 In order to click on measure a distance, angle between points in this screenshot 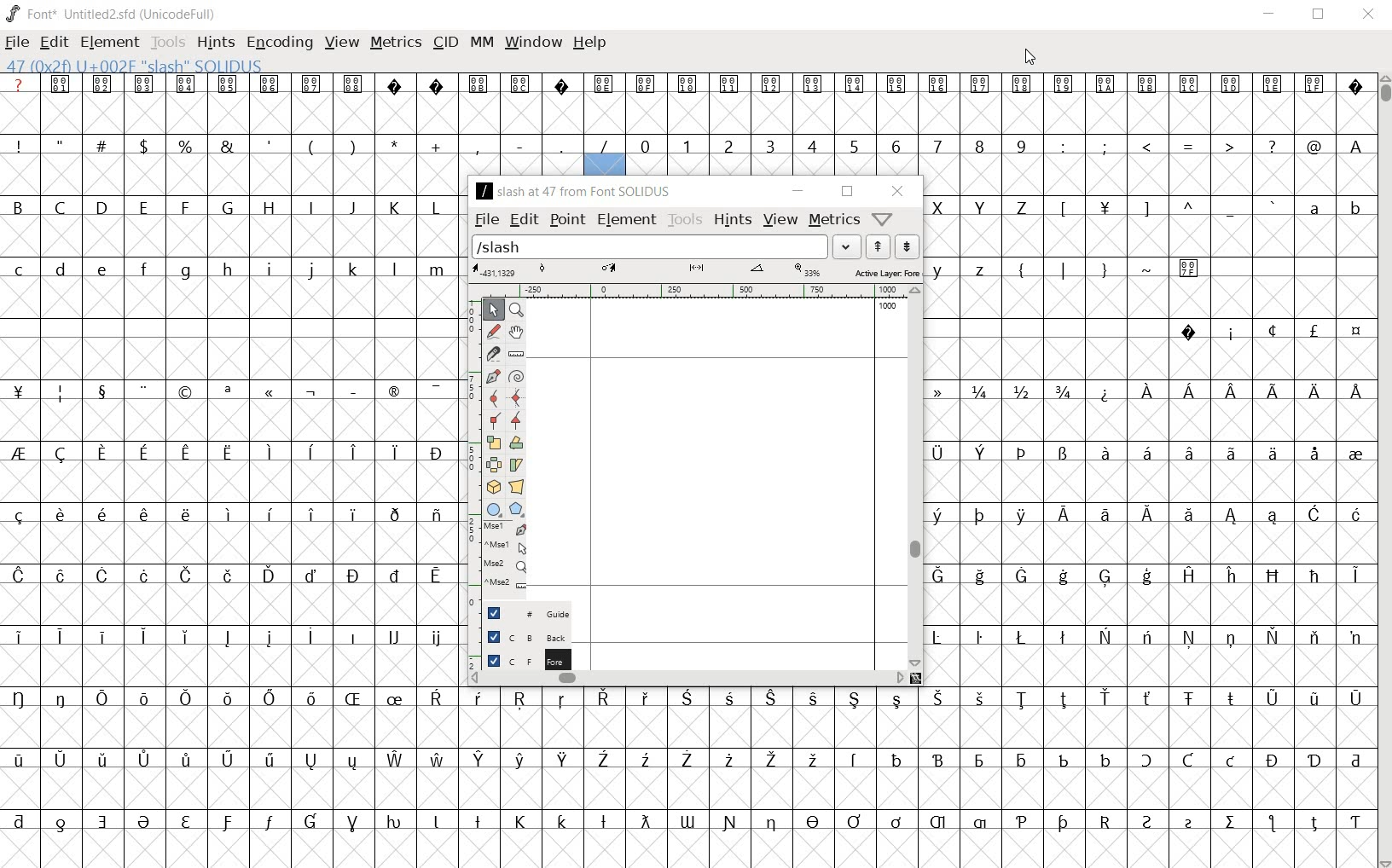, I will do `click(516, 354)`.